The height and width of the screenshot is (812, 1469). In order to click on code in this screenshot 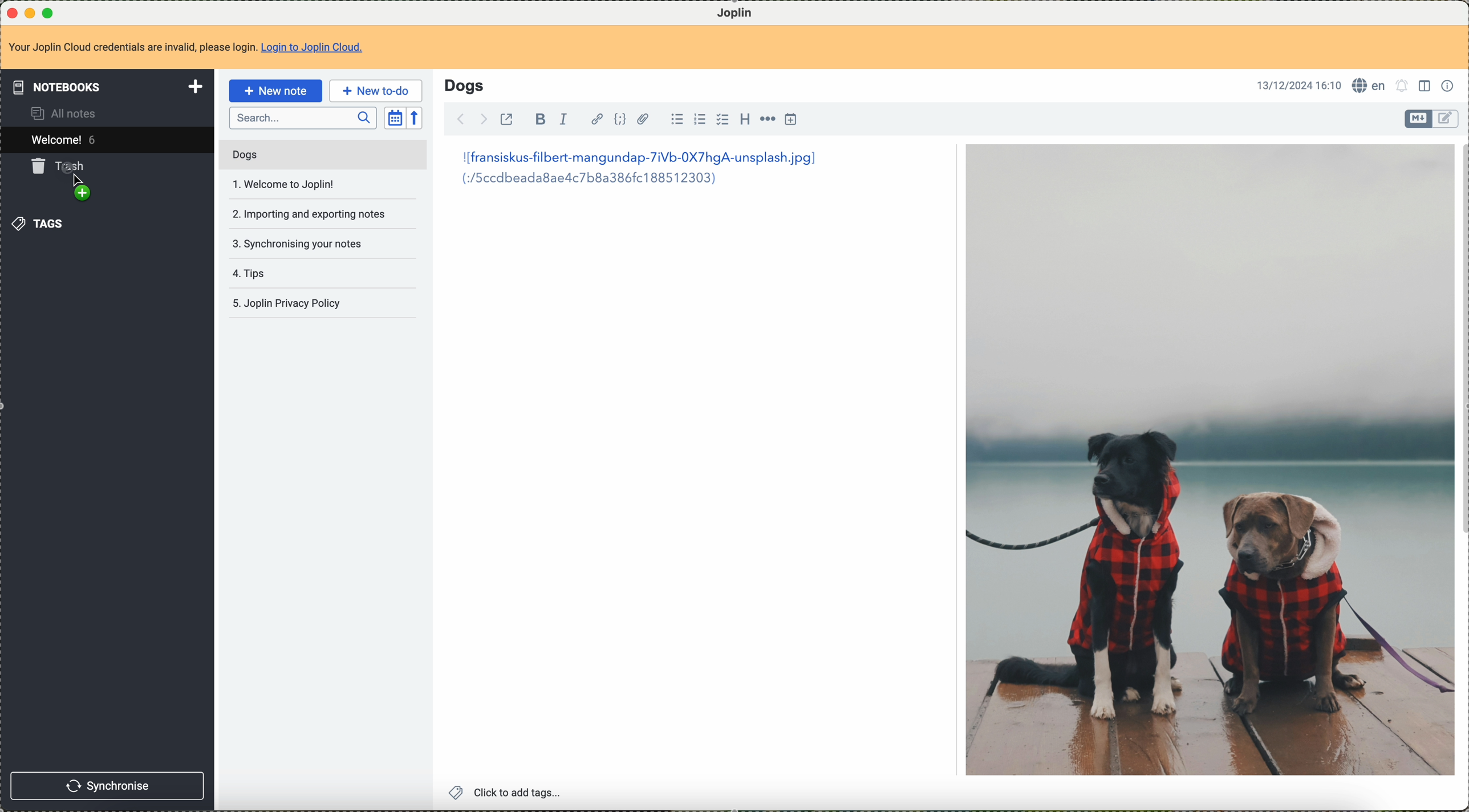, I will do `click(620, 120)`.